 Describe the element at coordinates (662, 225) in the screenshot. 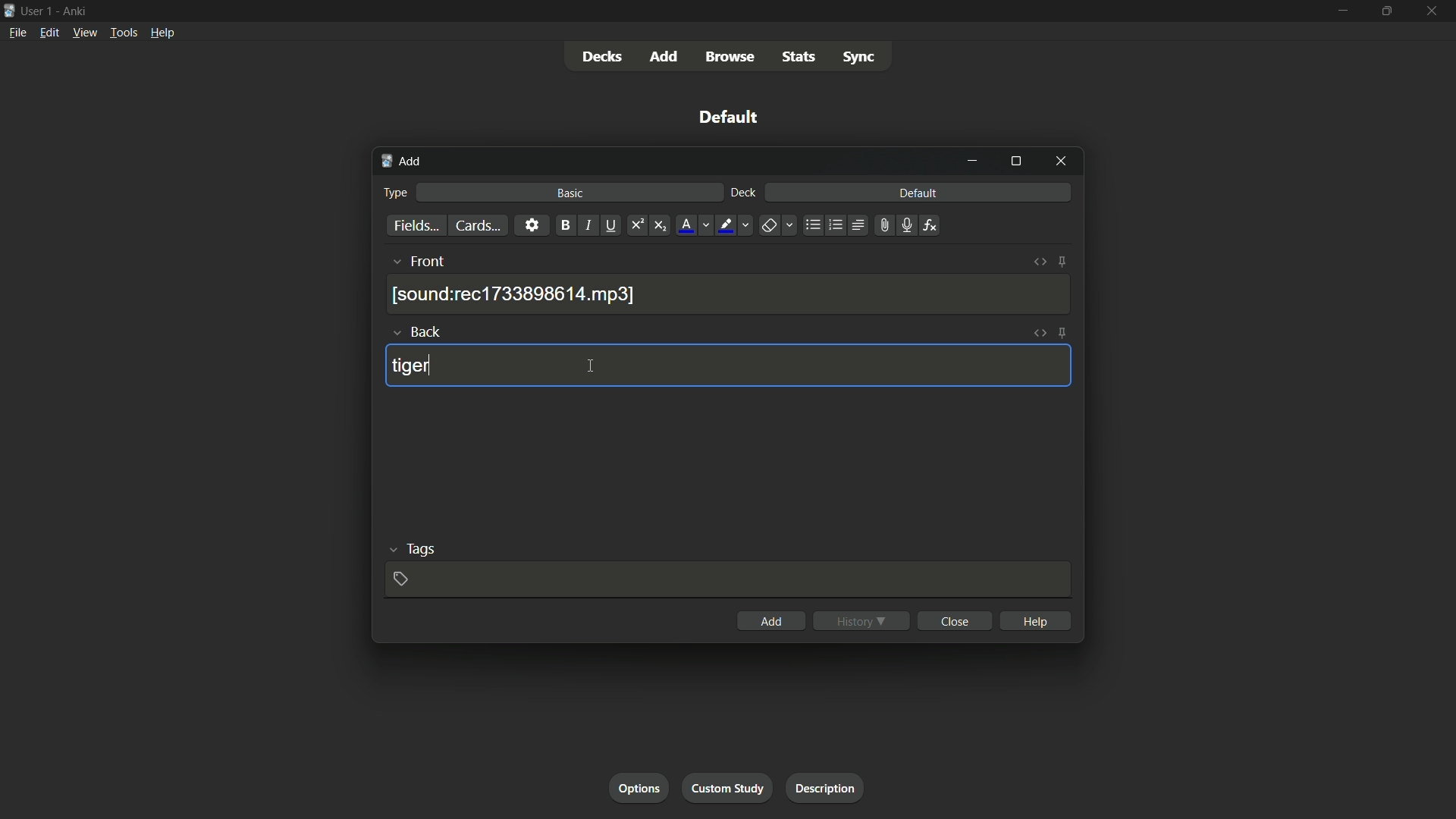

I see `subscript` at that location.